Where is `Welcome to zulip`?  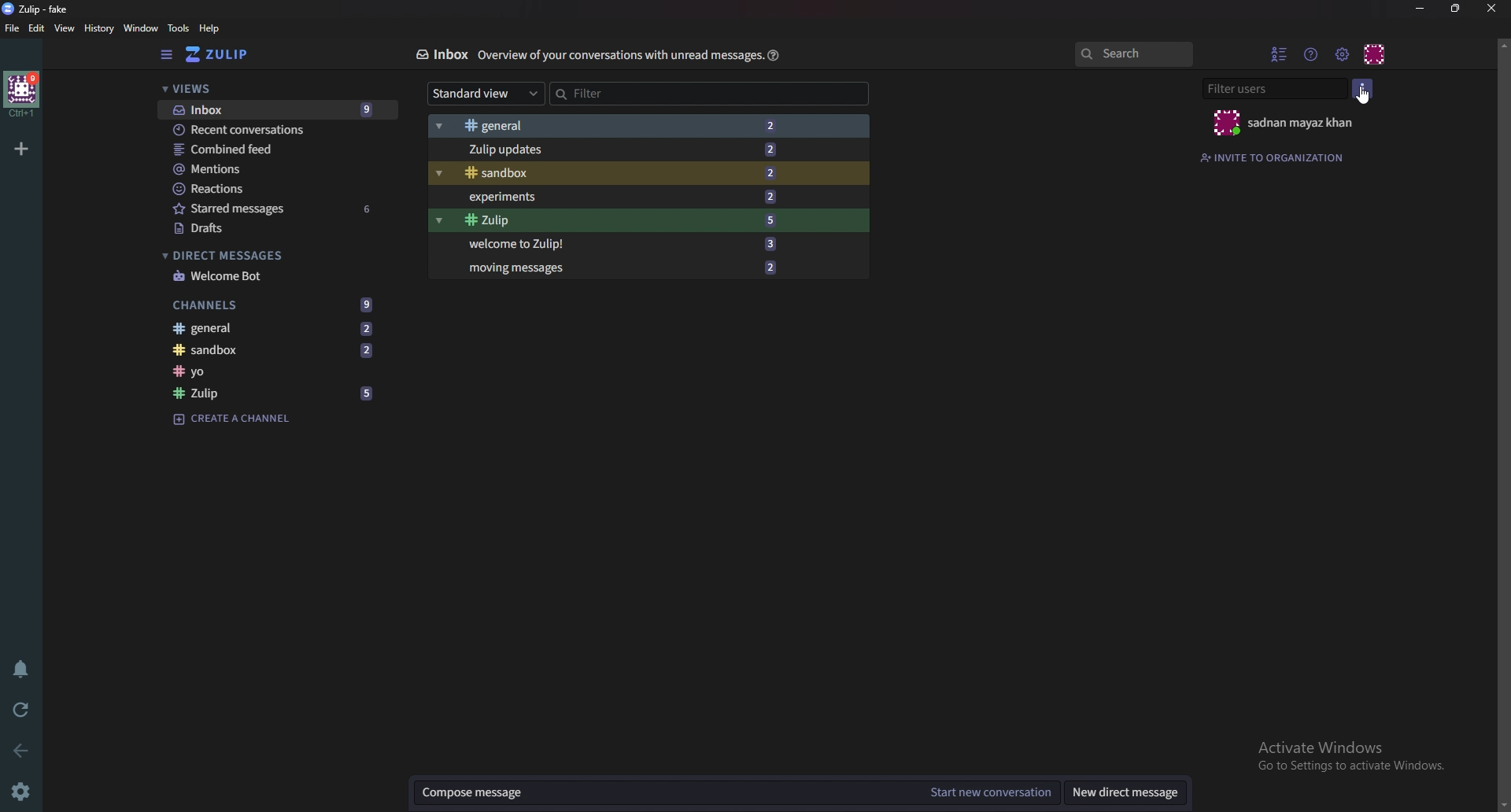 Welcome to zulip is located at coordinates (622, 244).